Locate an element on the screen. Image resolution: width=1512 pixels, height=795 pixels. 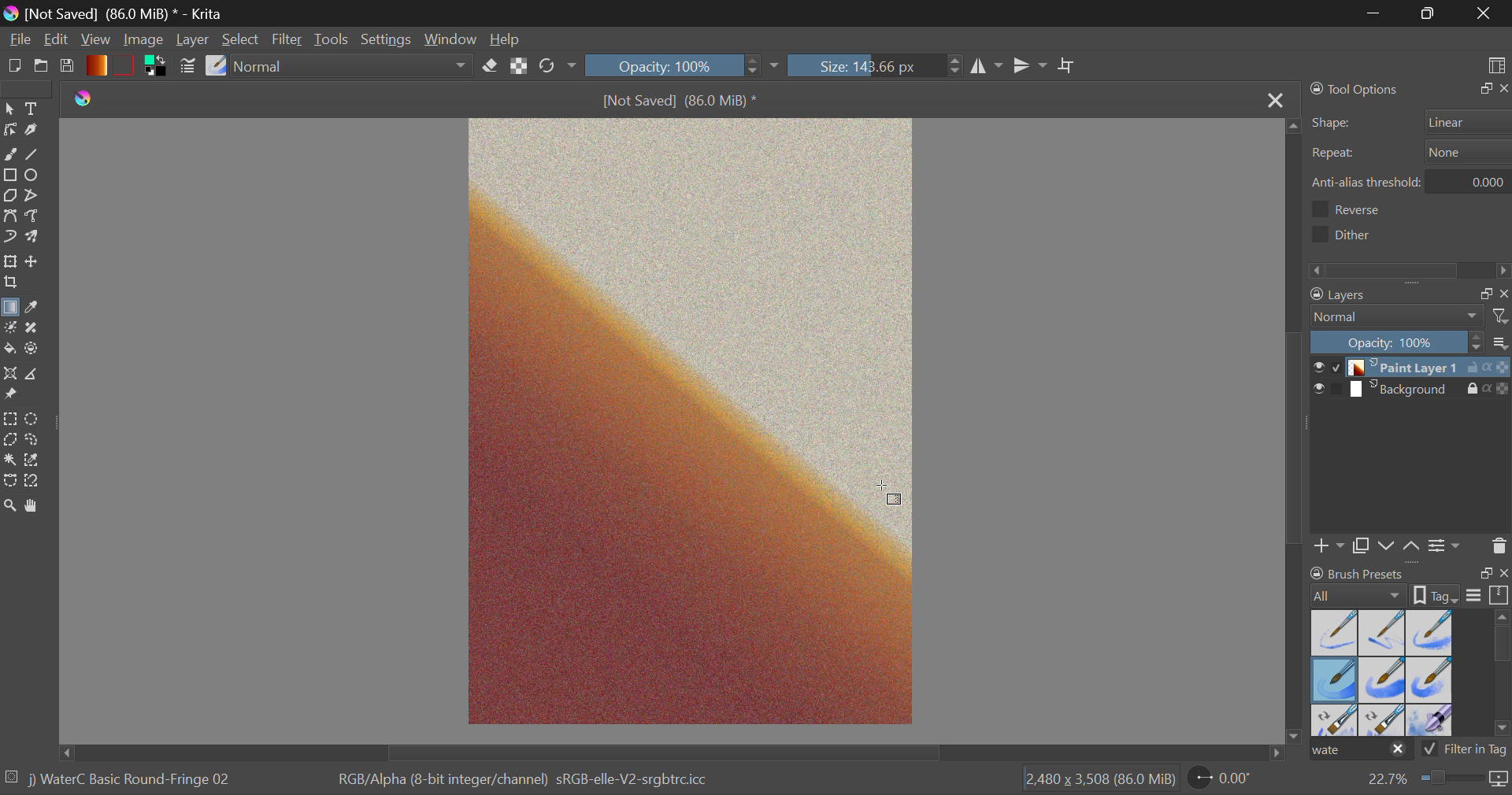
Transform Layers is located at coordinates (9, 261).